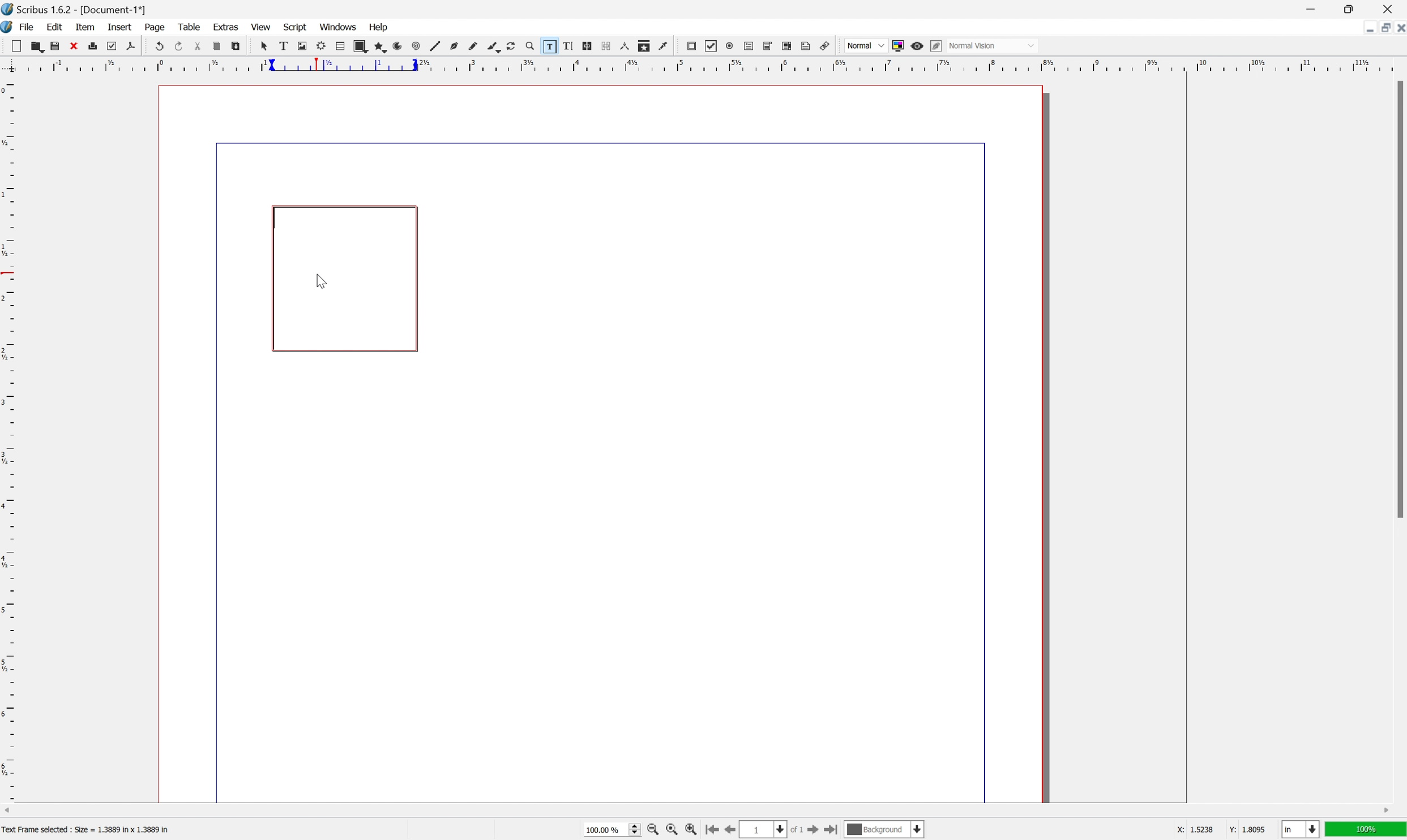 This screenshot has height=840, width=1407. What do you see at coordinates (729, 46) in the screenshot?
I see `pdf radio button` at bounding box center [729, 46].